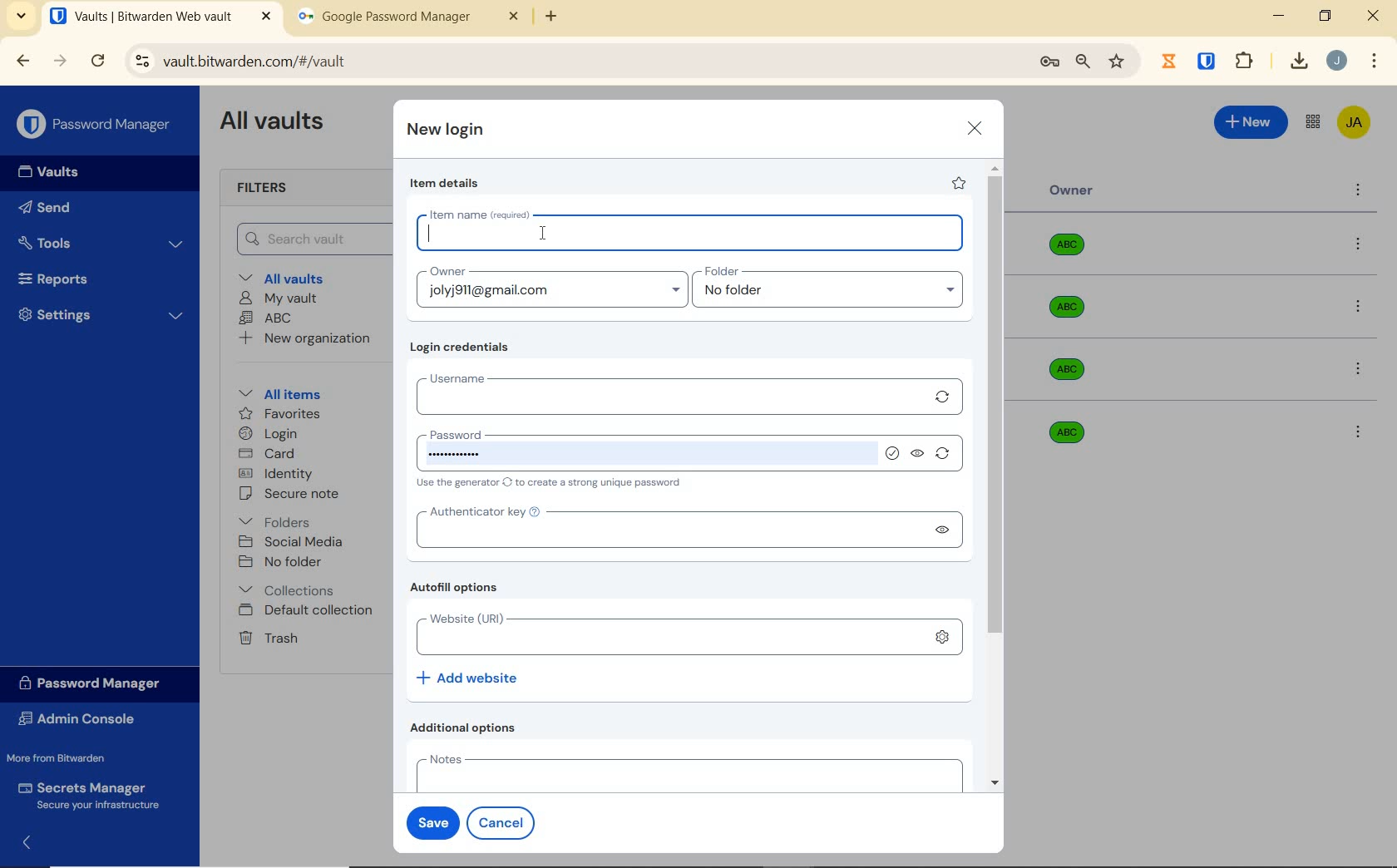  Describe the element at coordinates (1049, 62) in the screenshot. I see `manage passwords` at that location.